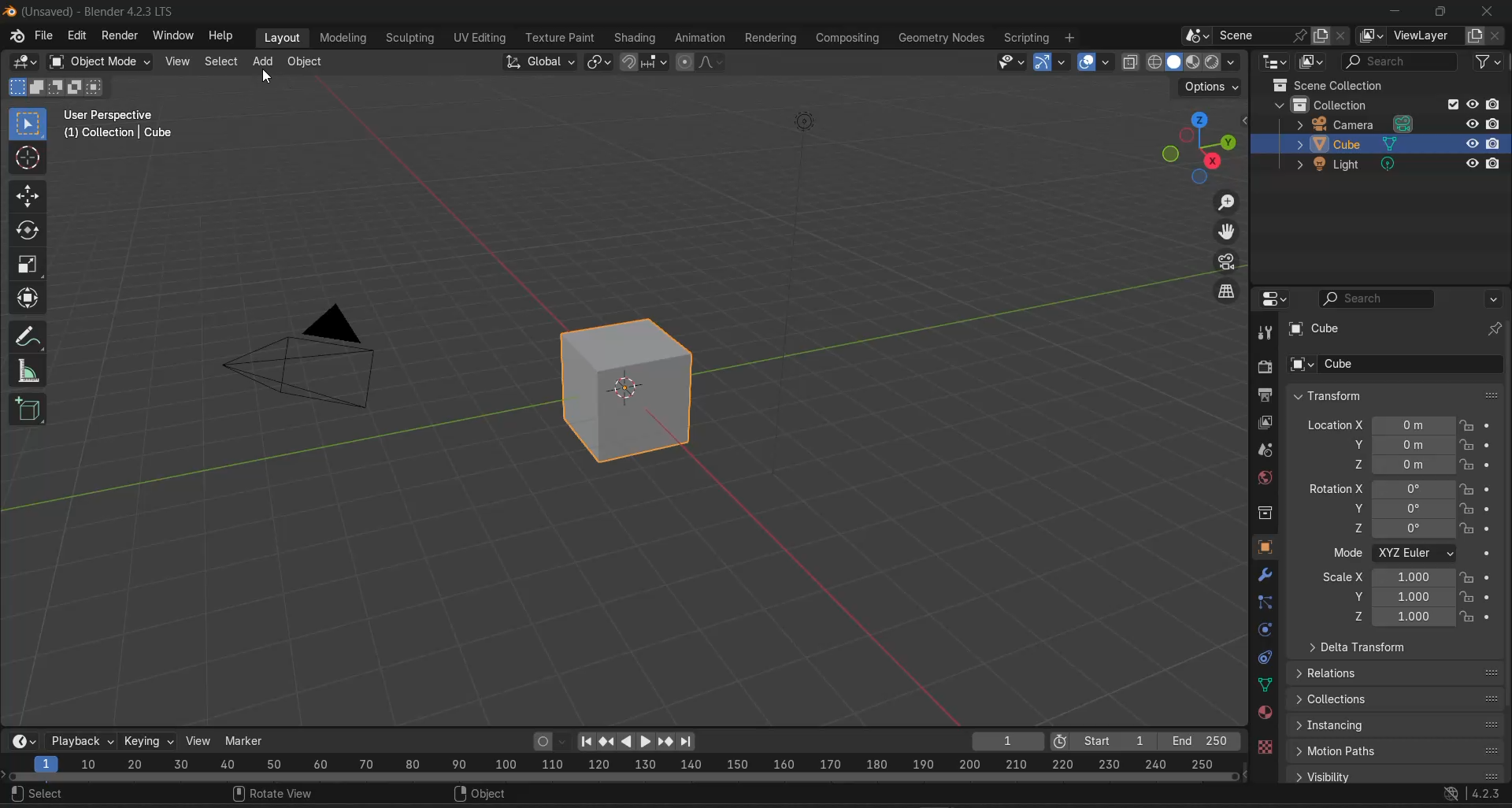 The width and height of the screenshot is (1512, 808). I want to click on window, so click(175, 36).